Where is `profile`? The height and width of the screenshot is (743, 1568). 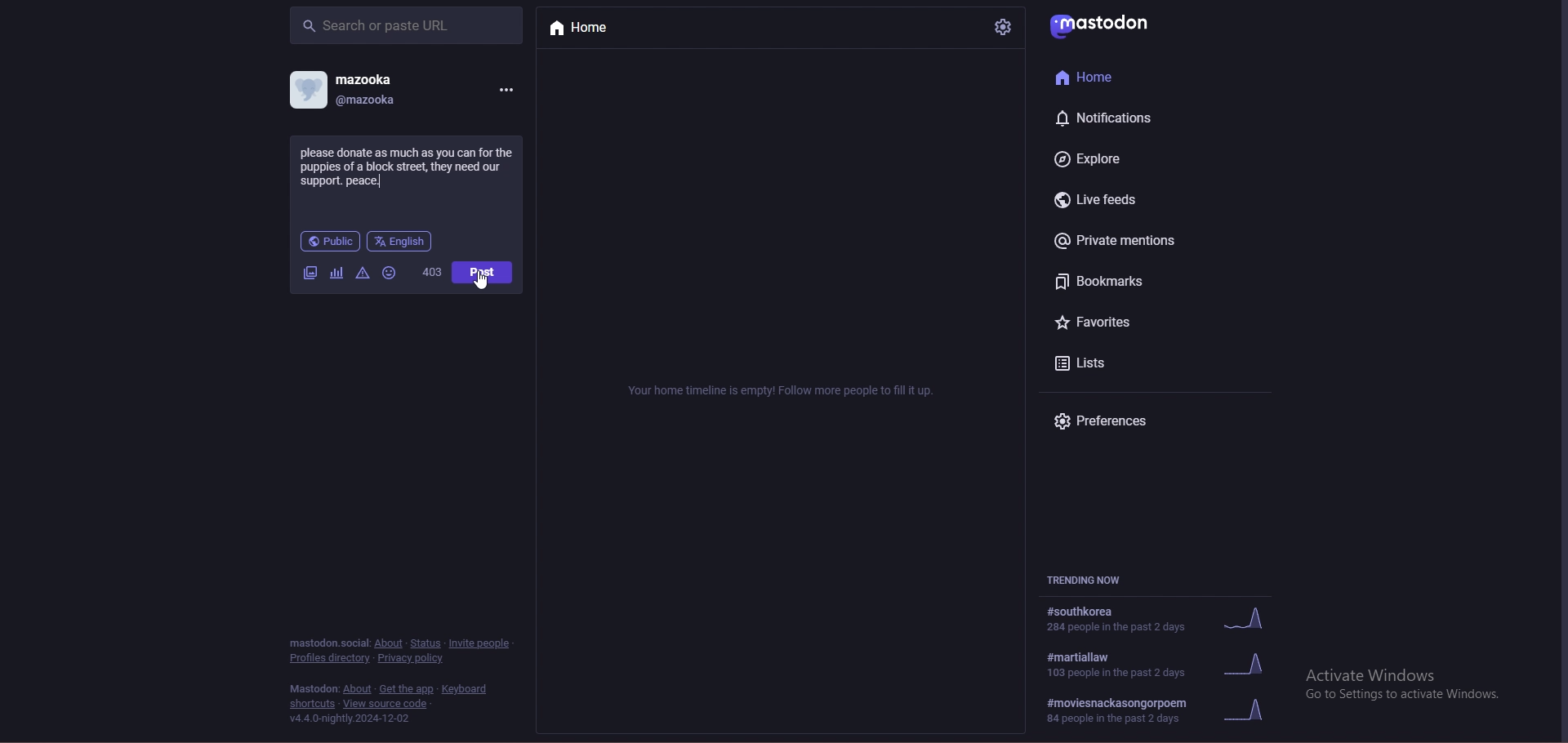 profile is located at coordinates (309, 89).